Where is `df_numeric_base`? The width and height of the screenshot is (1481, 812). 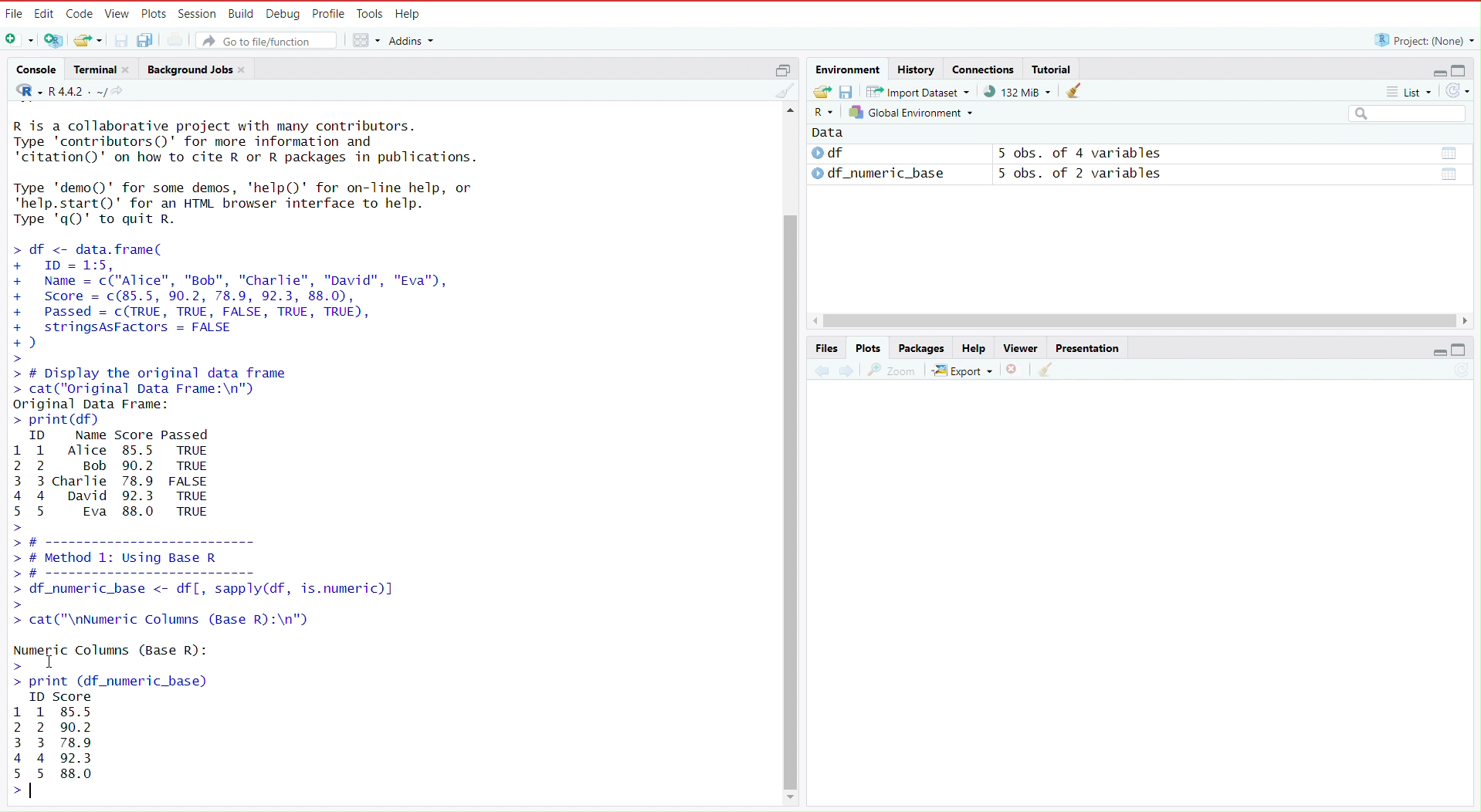 df_numeric_base is located at coordinates (890, 174).